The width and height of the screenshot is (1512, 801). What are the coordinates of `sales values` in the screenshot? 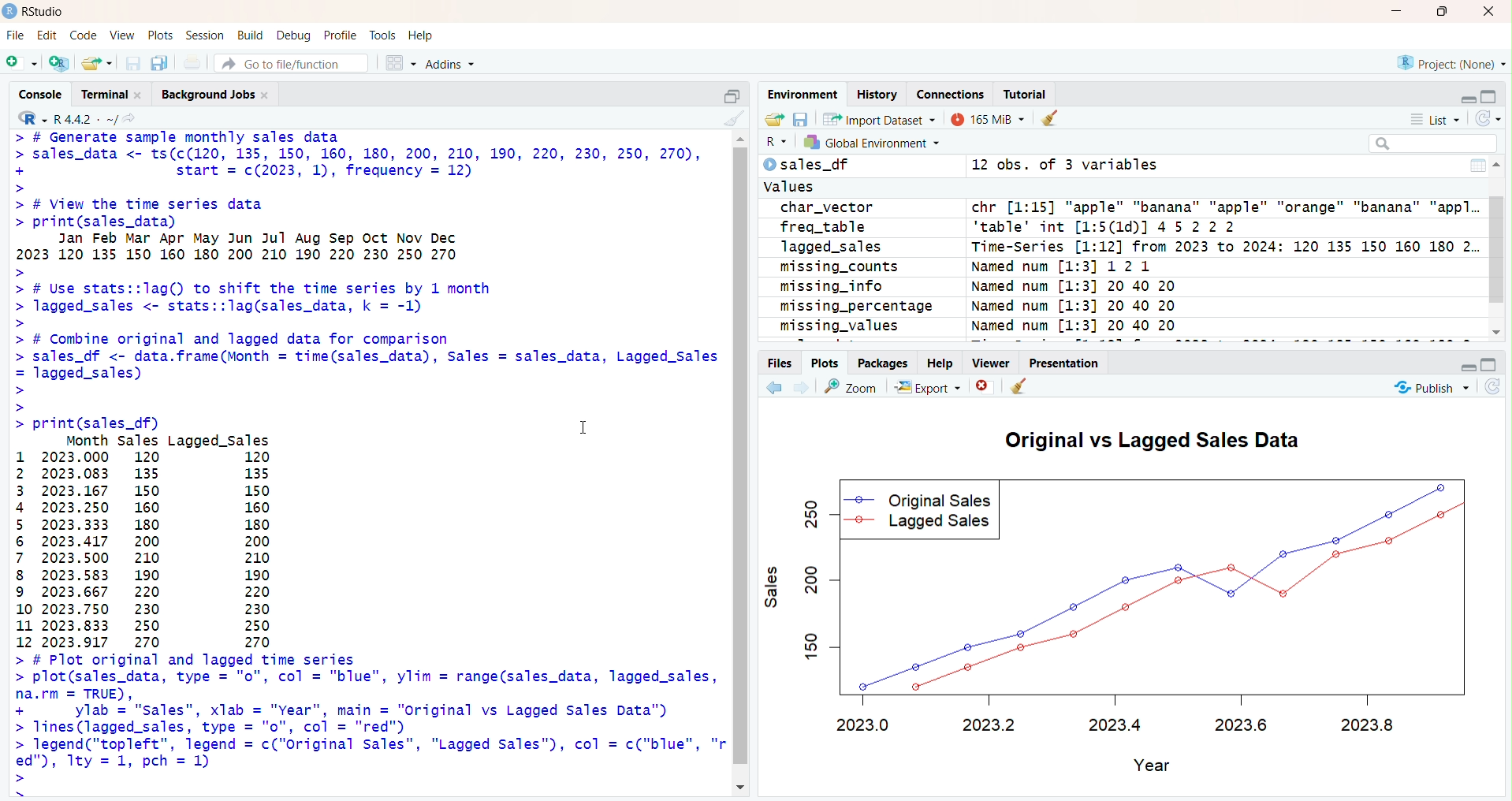 It's located at (1123, 258).